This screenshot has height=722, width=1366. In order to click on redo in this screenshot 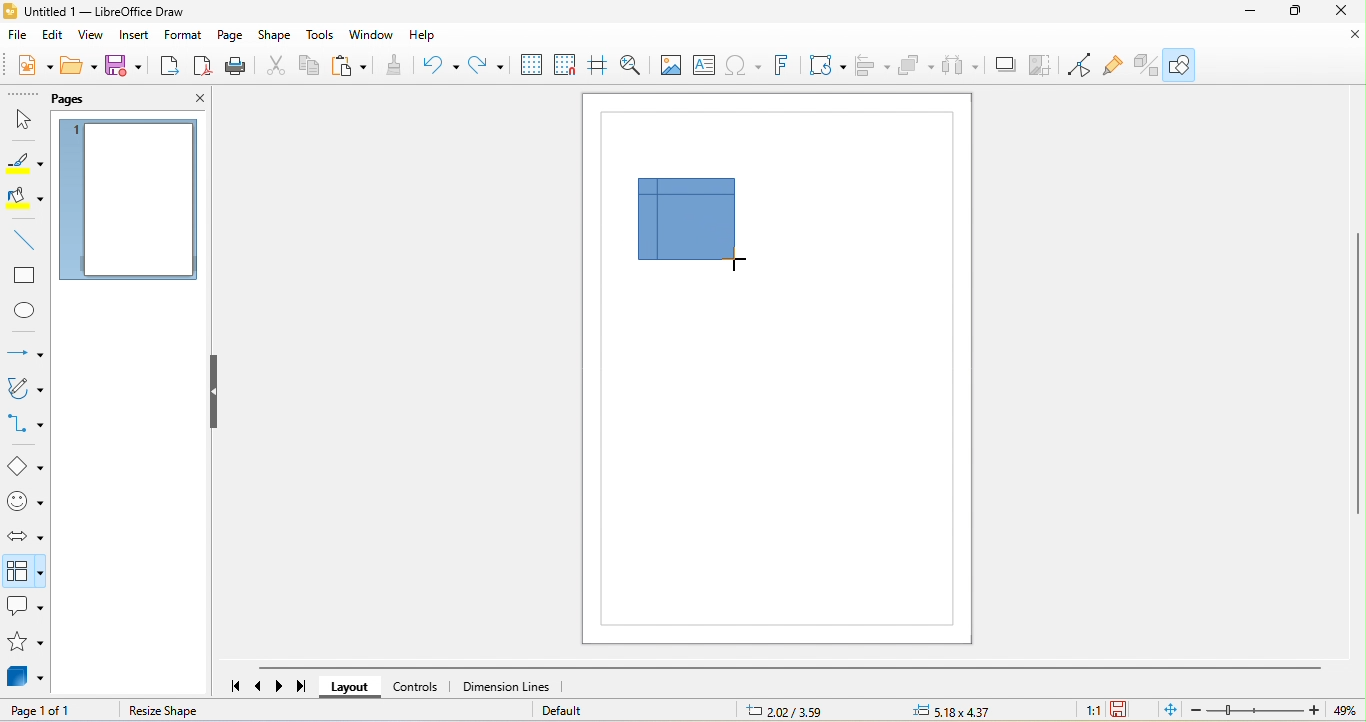, I will do `click(488, 67)`.